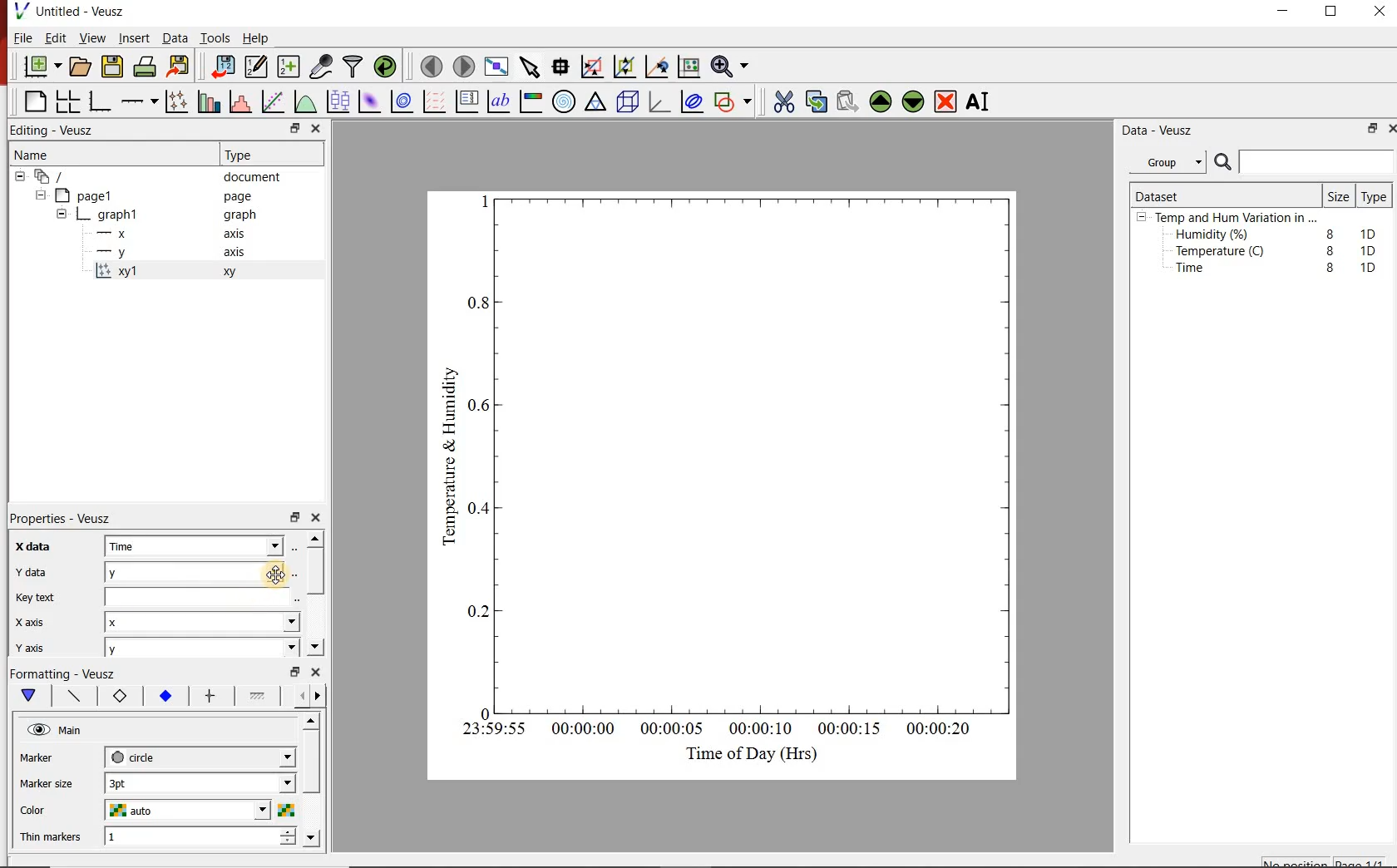 Image resolution: width=1397 pixels, height=868 pixels. Describe the element at coordinates (30, 697) in the screenshot. I see `main formatting` at that location.